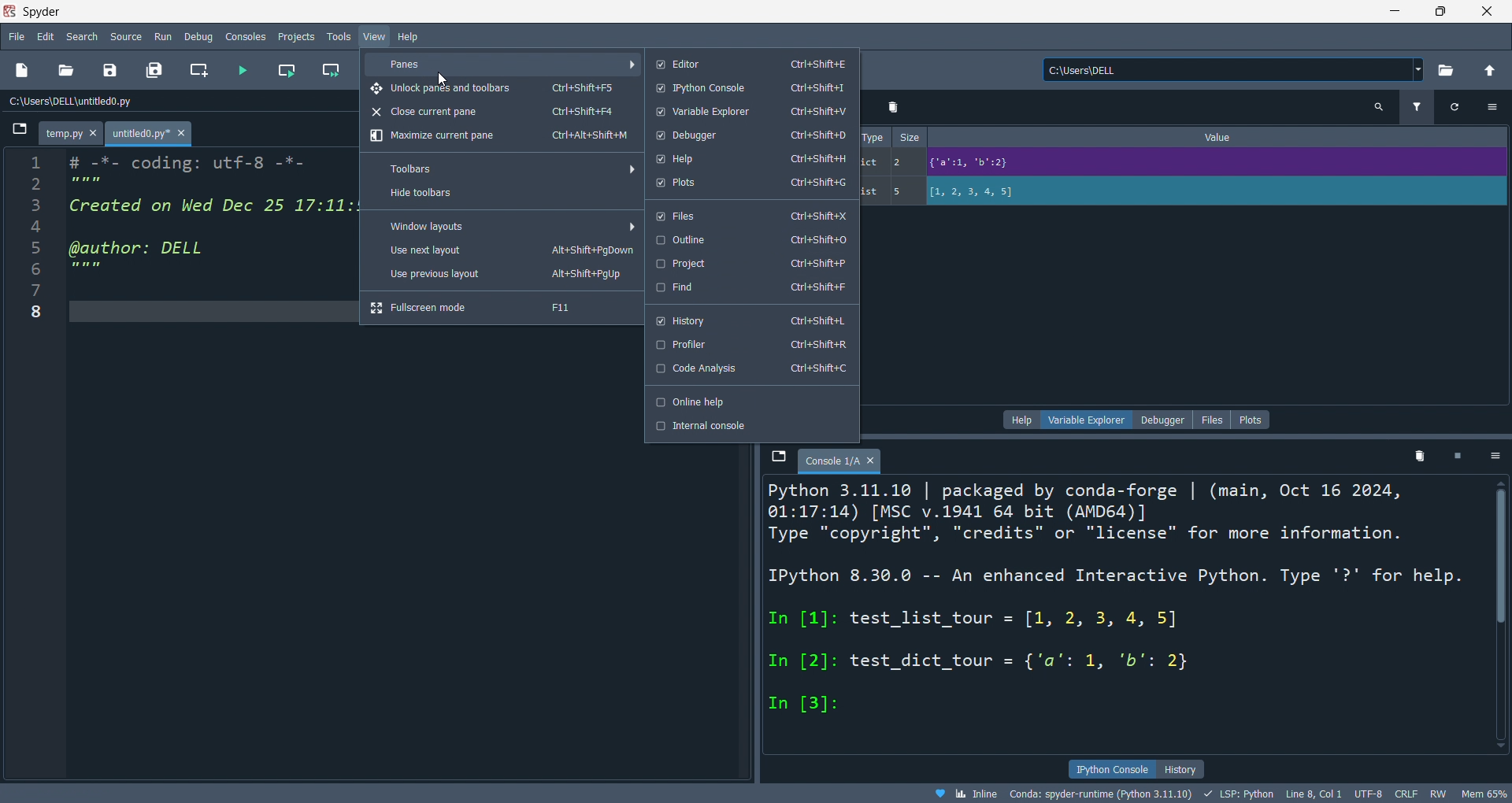 Image resolution: width=1512 pixels, height=803 pixels. Describe the element at coordinates (1231, 68) in the screenshot. I see `C:\Users\DELL` at that location.